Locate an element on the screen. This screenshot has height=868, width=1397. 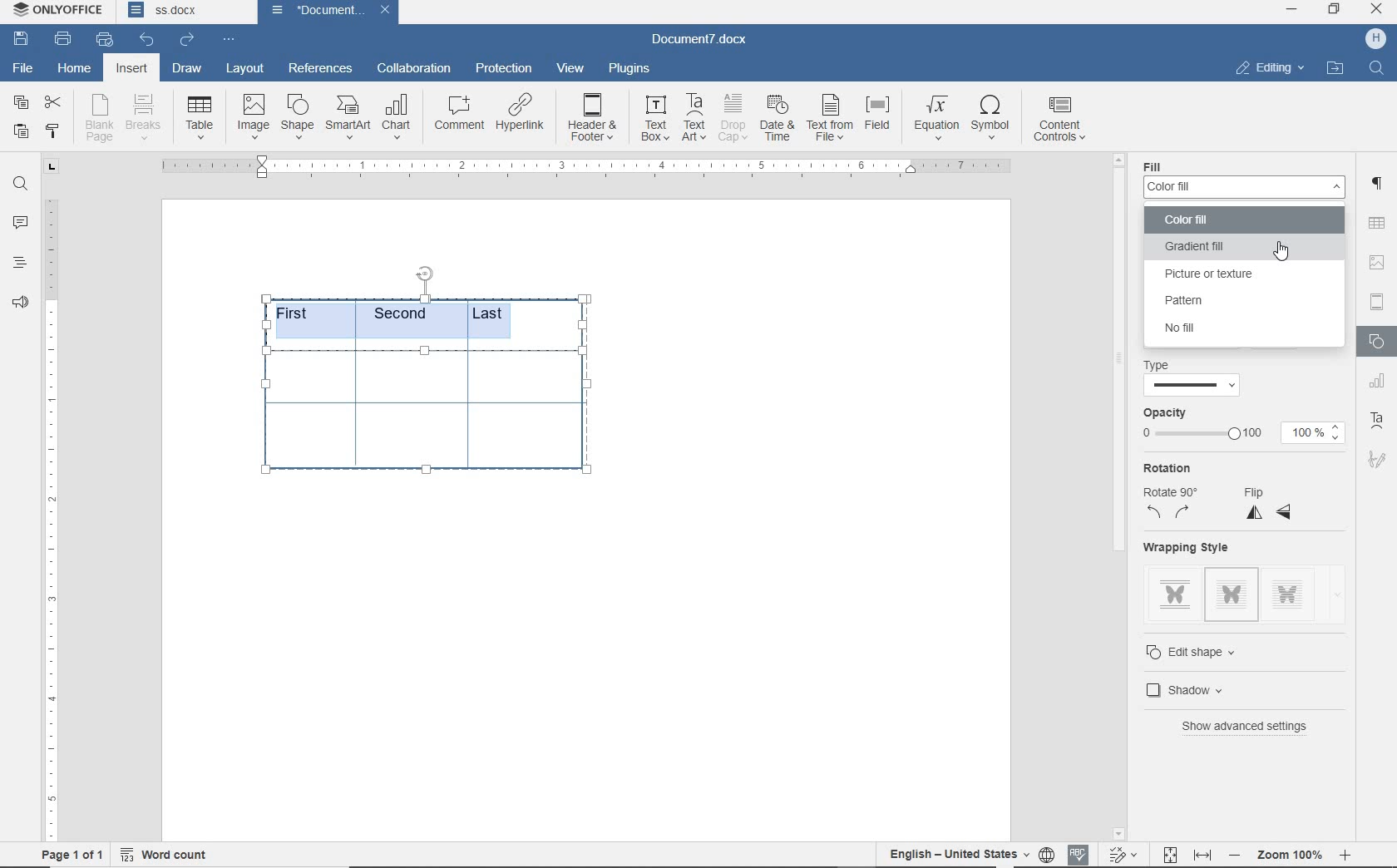
fill is located at coordinates (1161, 166).